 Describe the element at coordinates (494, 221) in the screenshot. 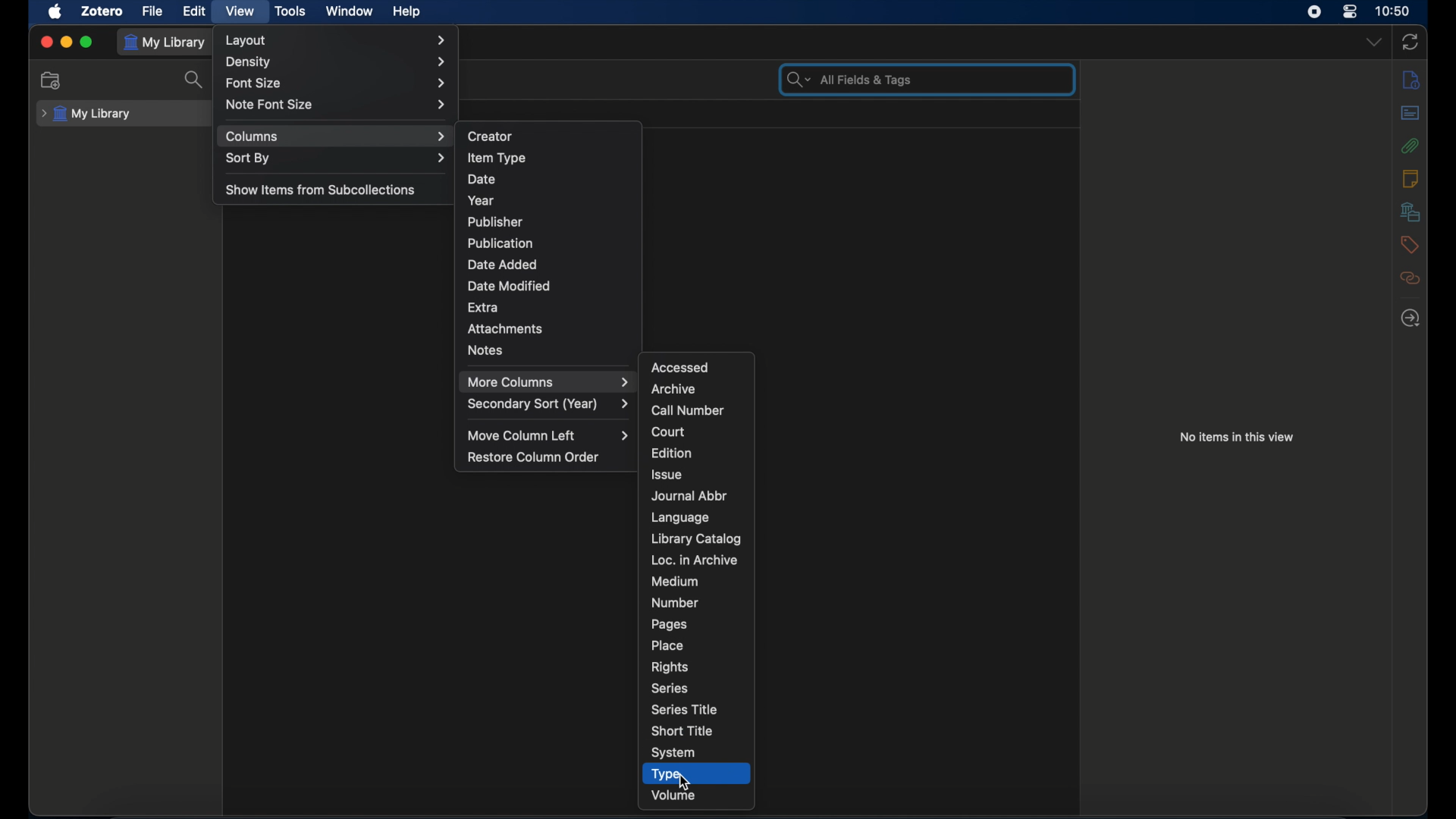

I see `publisher` at that location.